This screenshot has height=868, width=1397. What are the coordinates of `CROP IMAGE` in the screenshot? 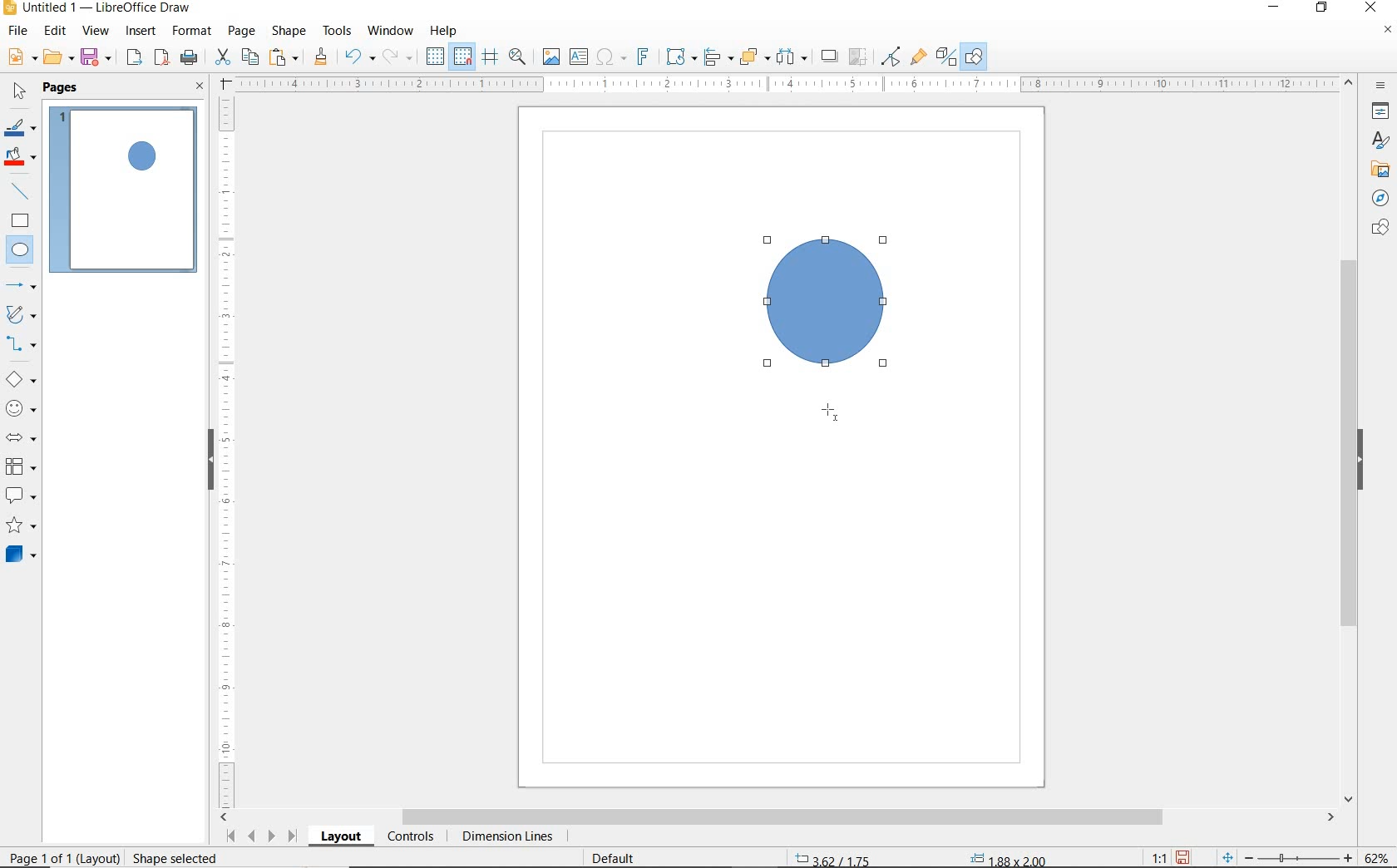 It's located at (857, 57).